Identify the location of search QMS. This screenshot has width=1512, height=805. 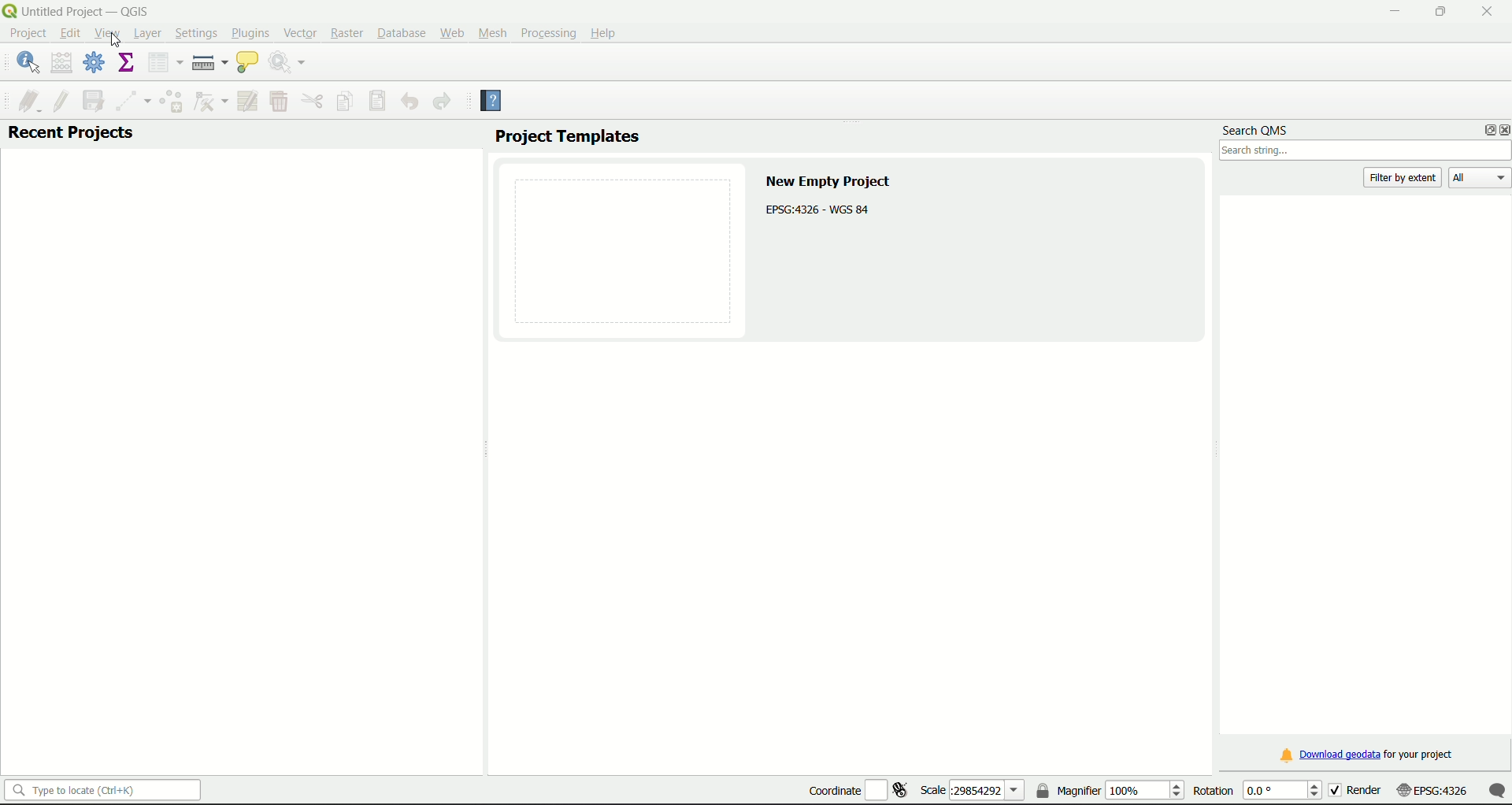
(1255, 128).